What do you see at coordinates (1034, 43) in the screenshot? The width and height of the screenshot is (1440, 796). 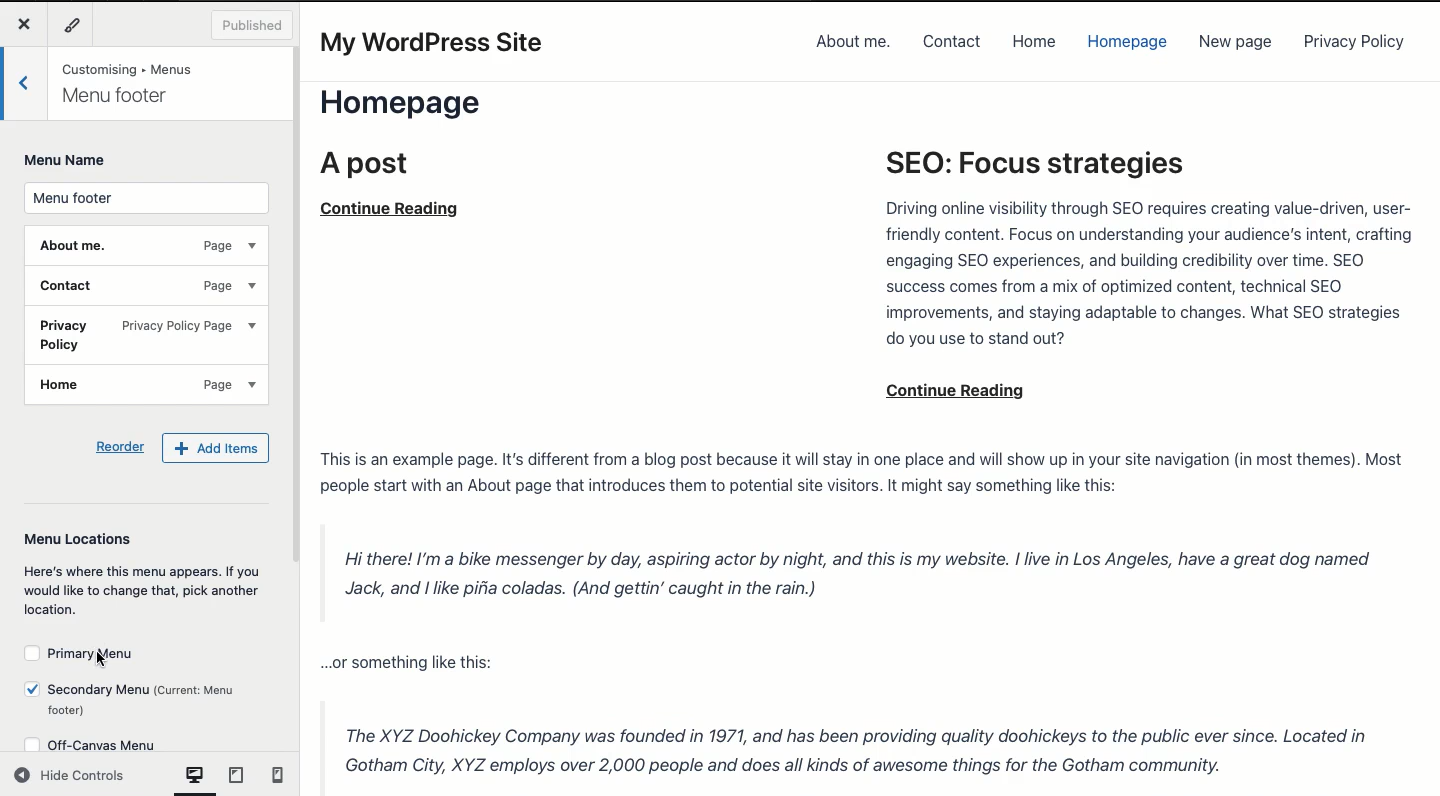 I see `Home` at bounding box center [1034, 43].